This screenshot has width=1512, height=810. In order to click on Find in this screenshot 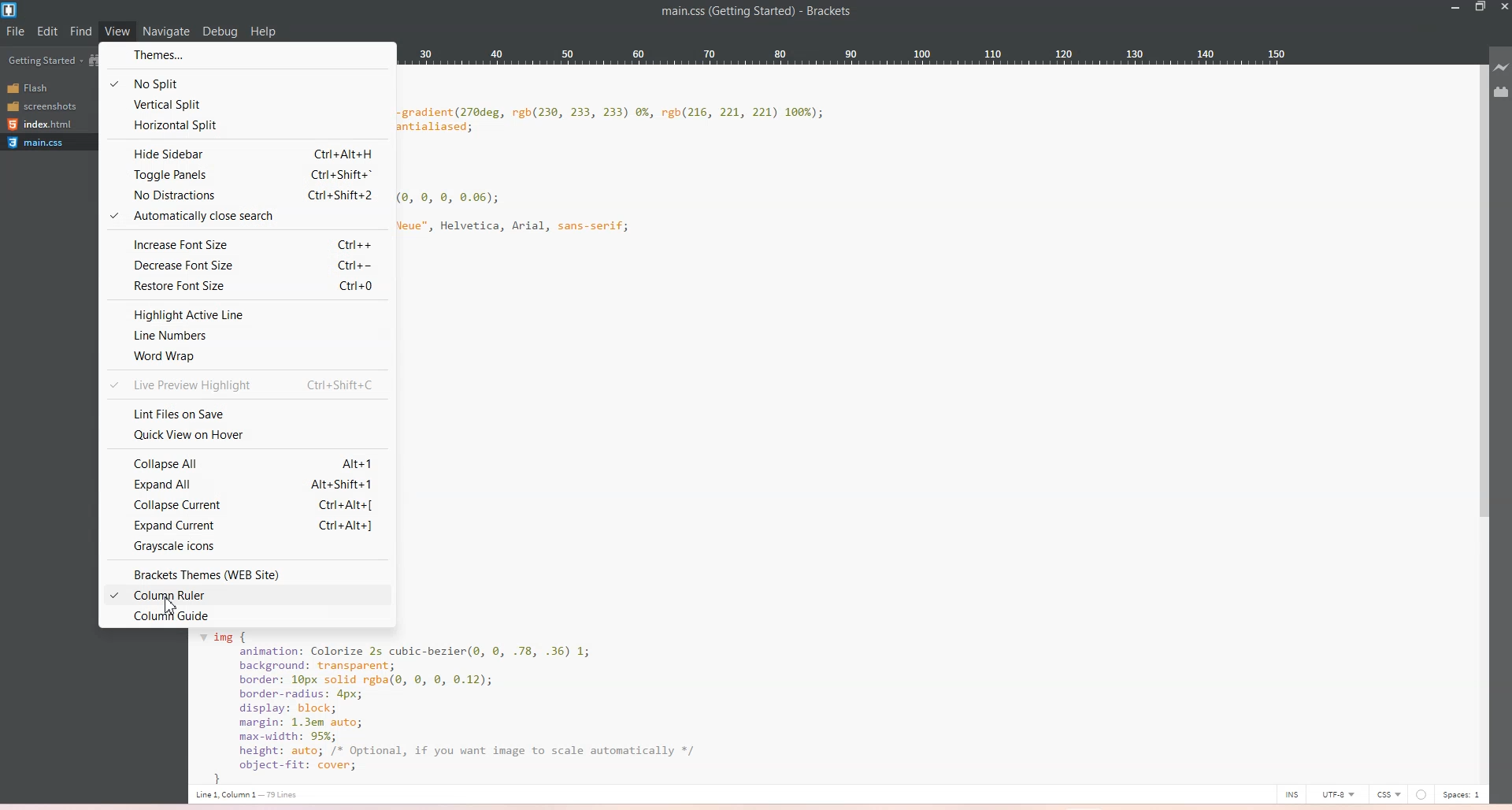, I will do `click(81, 31)`.